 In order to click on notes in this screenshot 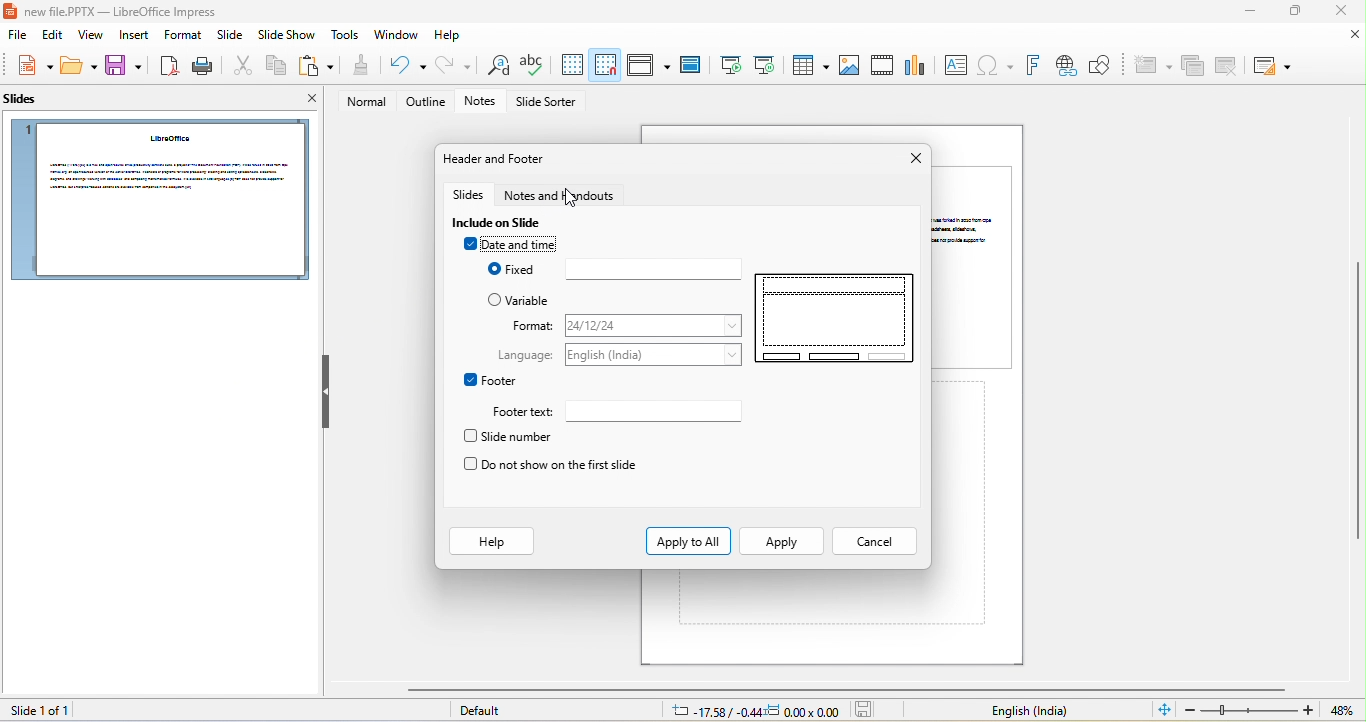, I will do `click(484, 102)`.